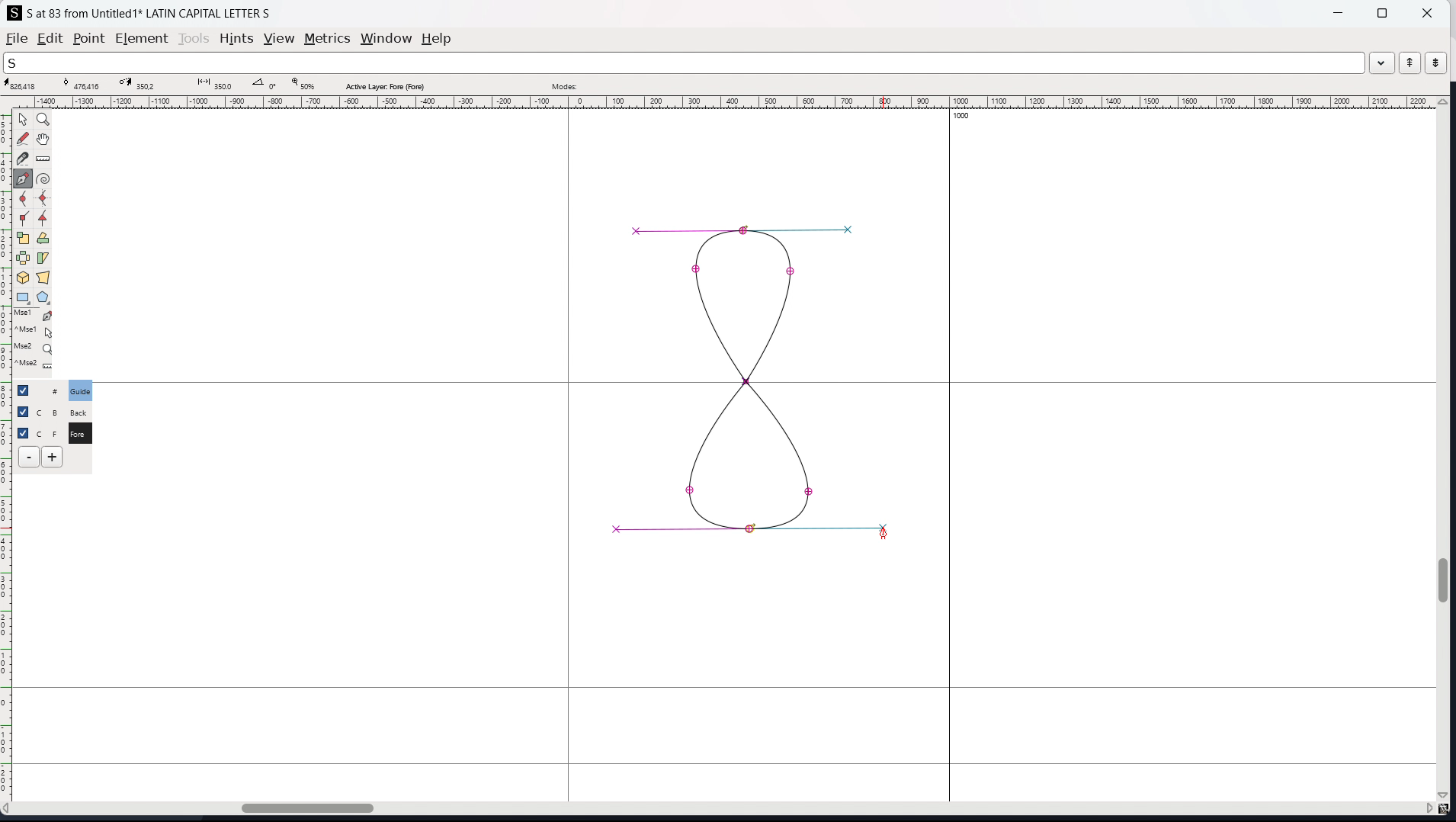  I want to click on magnify, so click(44, 120).